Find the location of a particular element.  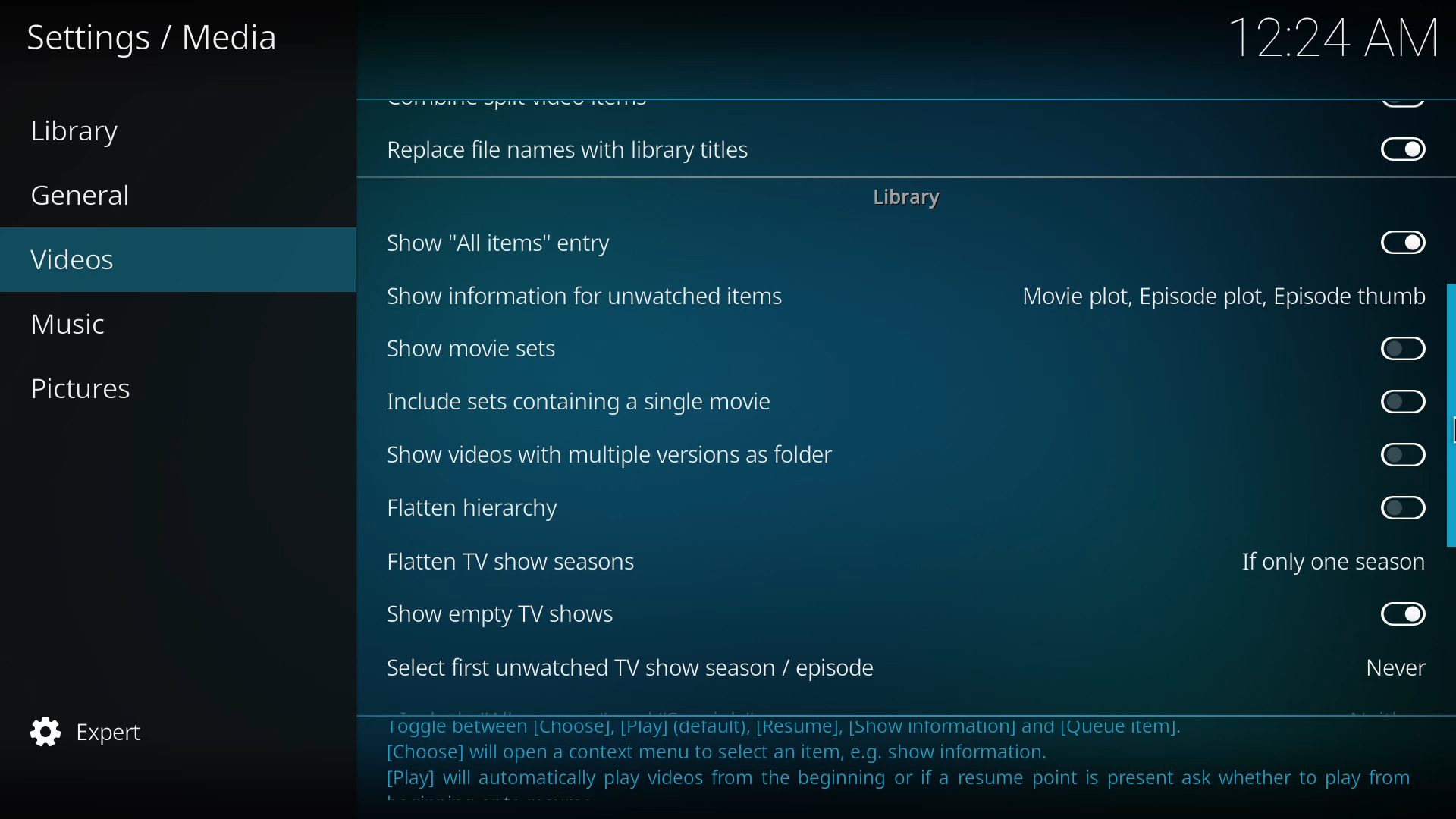

show movie sets is located at coordinates (471, 347).